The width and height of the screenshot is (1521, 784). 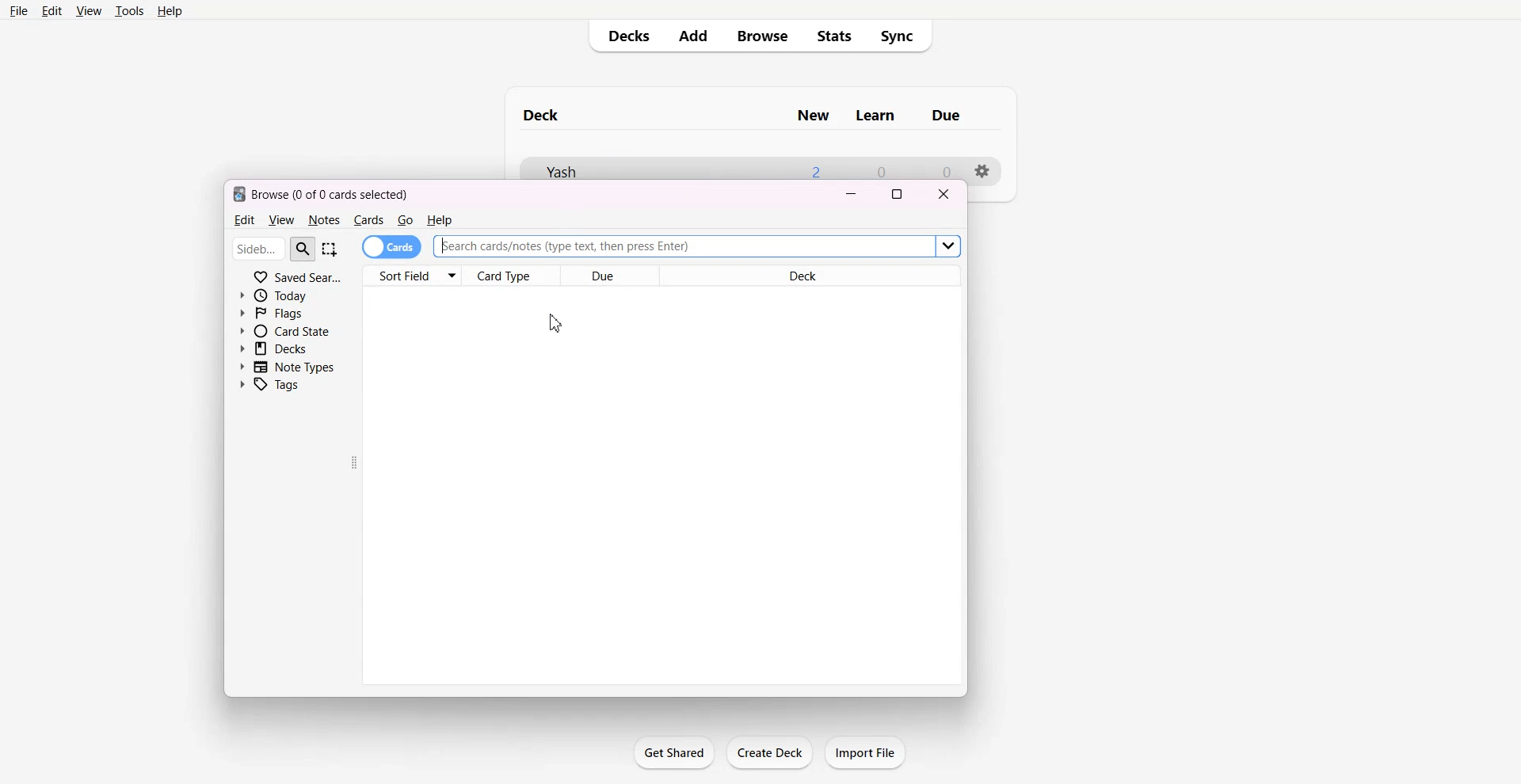 What do you see at coordinates (769, 752) in the screenshot?
I see `Crate Deck` at bounding box center [769, 752].